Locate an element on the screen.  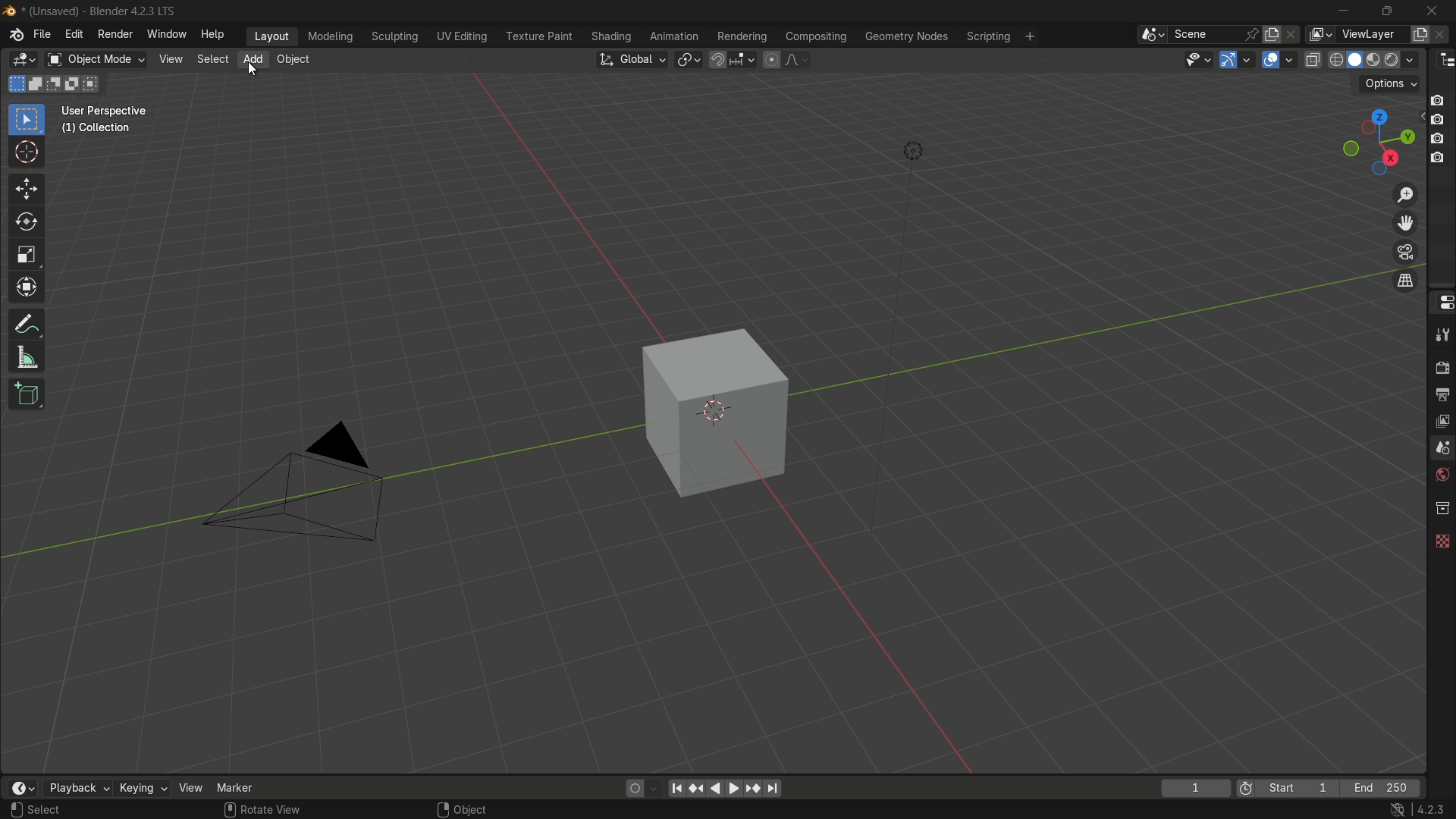
modeling menu is located at coordinates (330, 37).